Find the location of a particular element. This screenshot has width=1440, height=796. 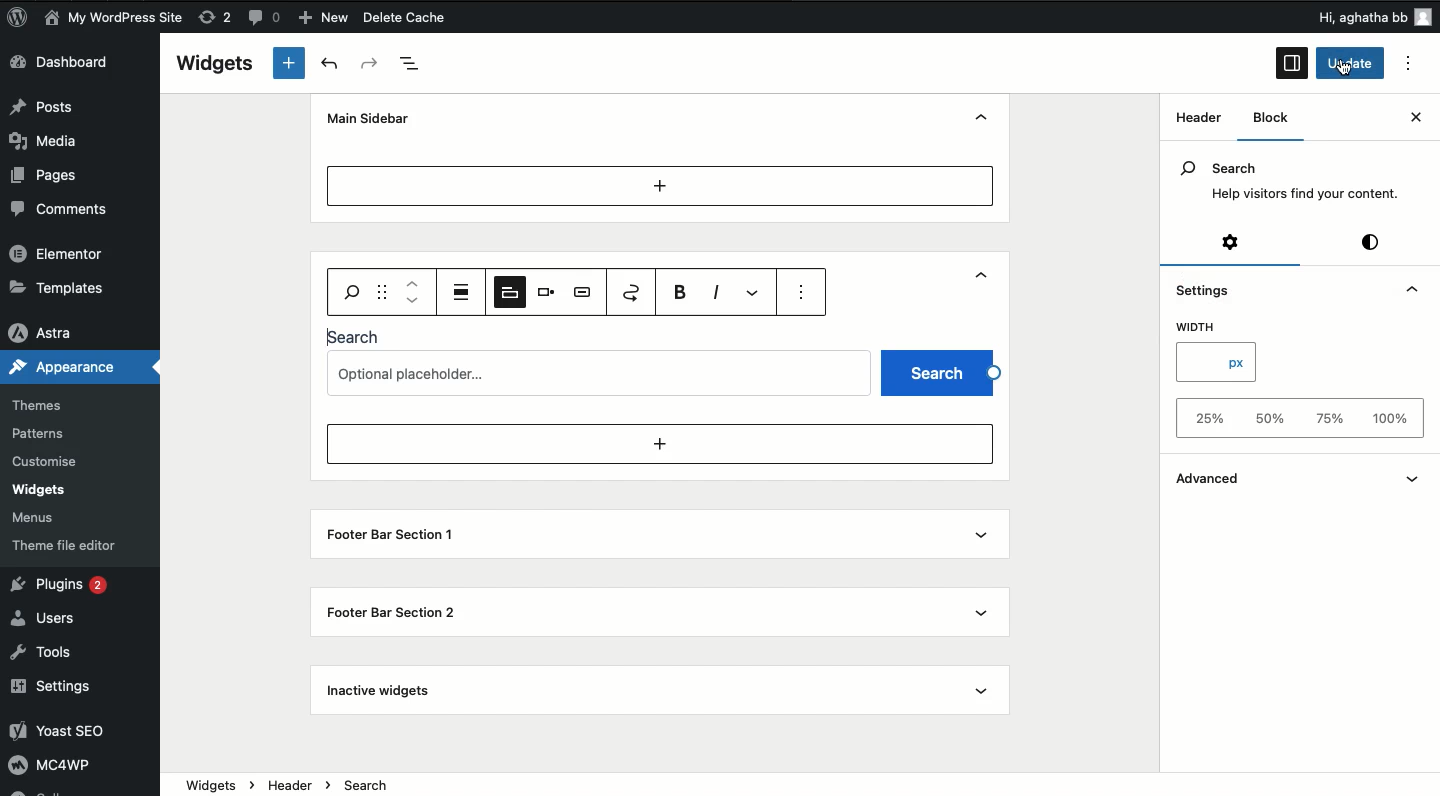

Width is located at coordinates (1201, 328).